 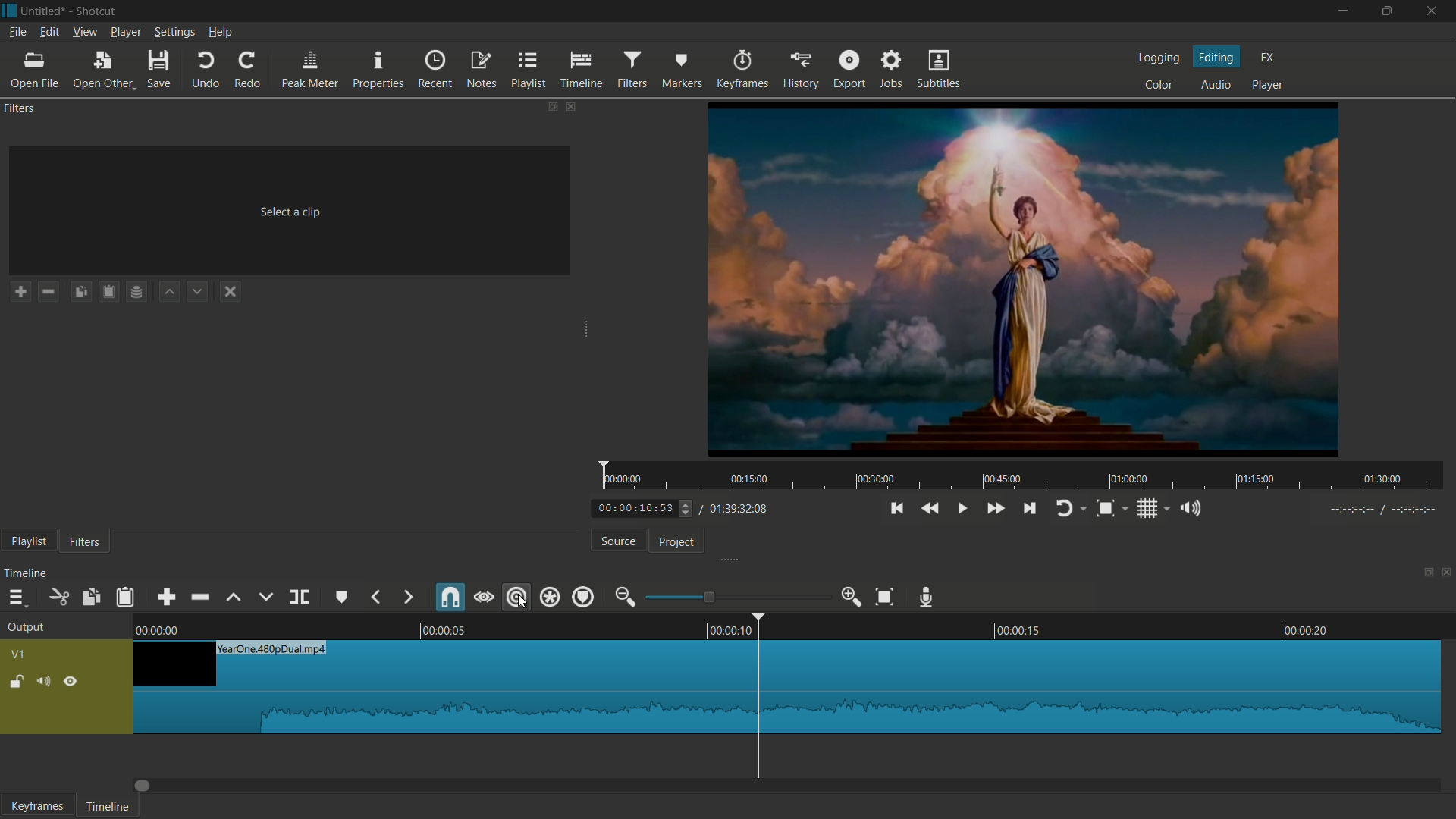 I want to click on show volume control, so click(x=1191, y=508).